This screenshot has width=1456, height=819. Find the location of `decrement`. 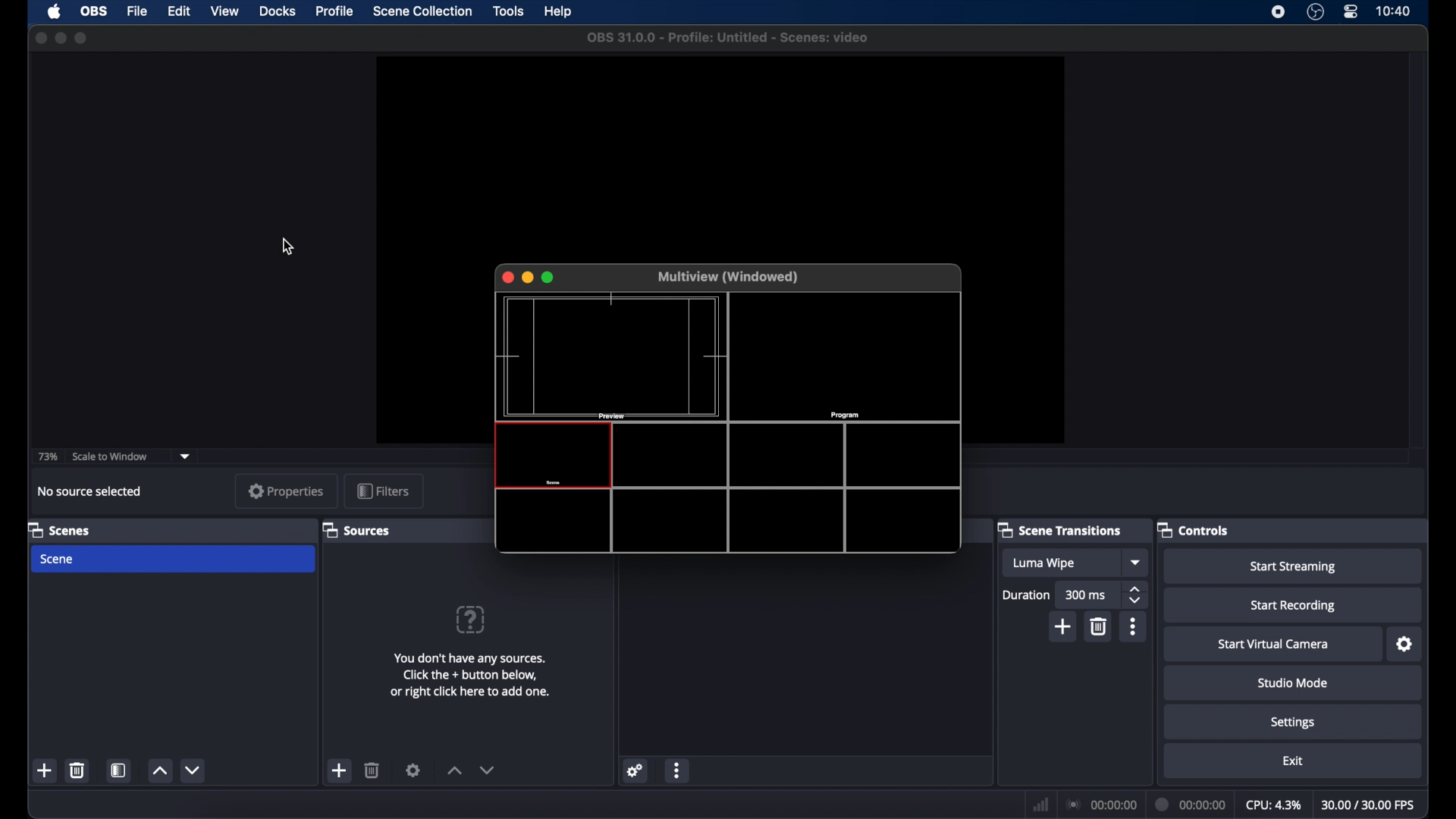

decrement is located at coordinates (487, 770).